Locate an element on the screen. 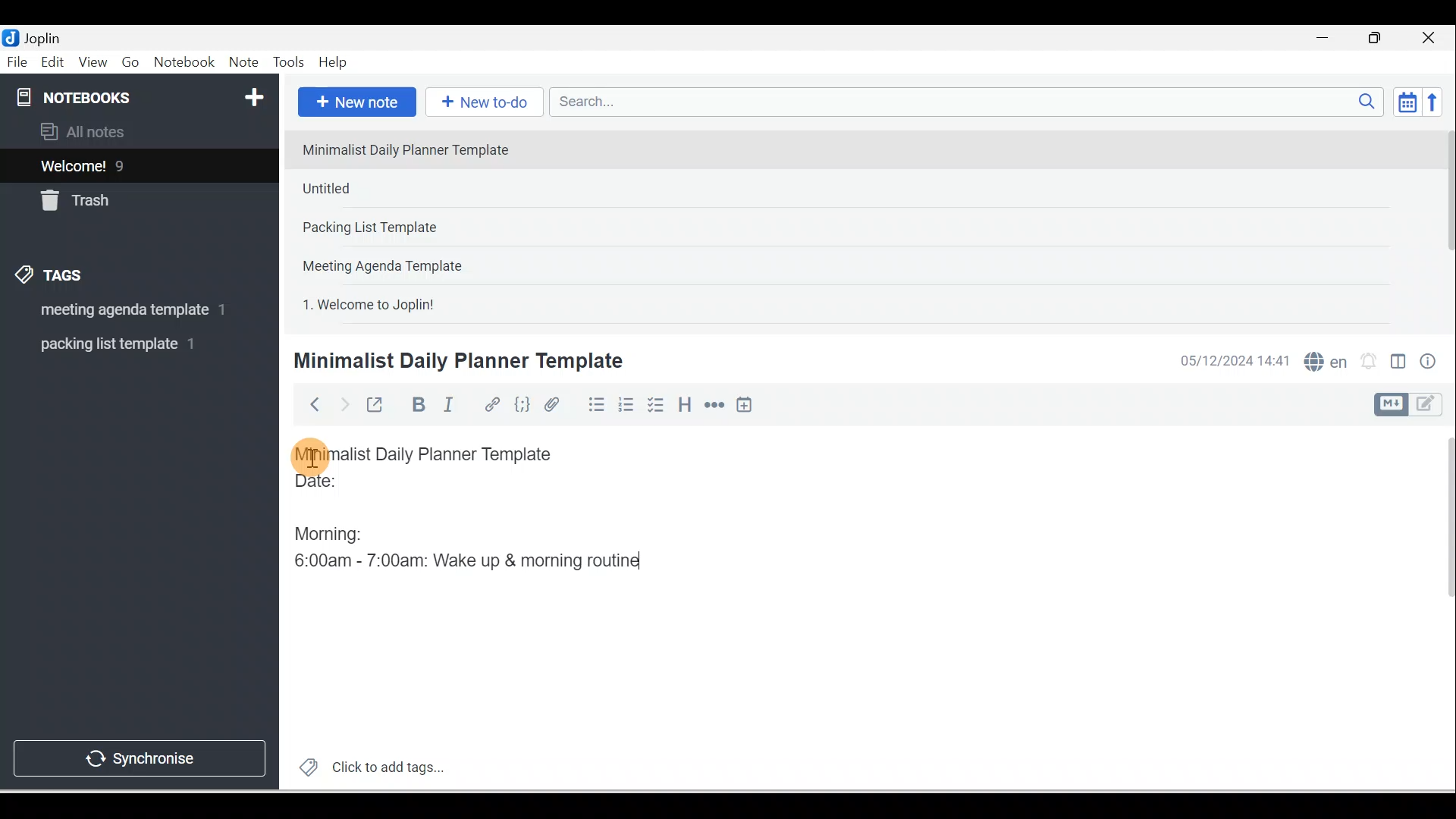 The width and height of the screenshot is (1456, 819). Joplin is located at coordinates (46, 36).